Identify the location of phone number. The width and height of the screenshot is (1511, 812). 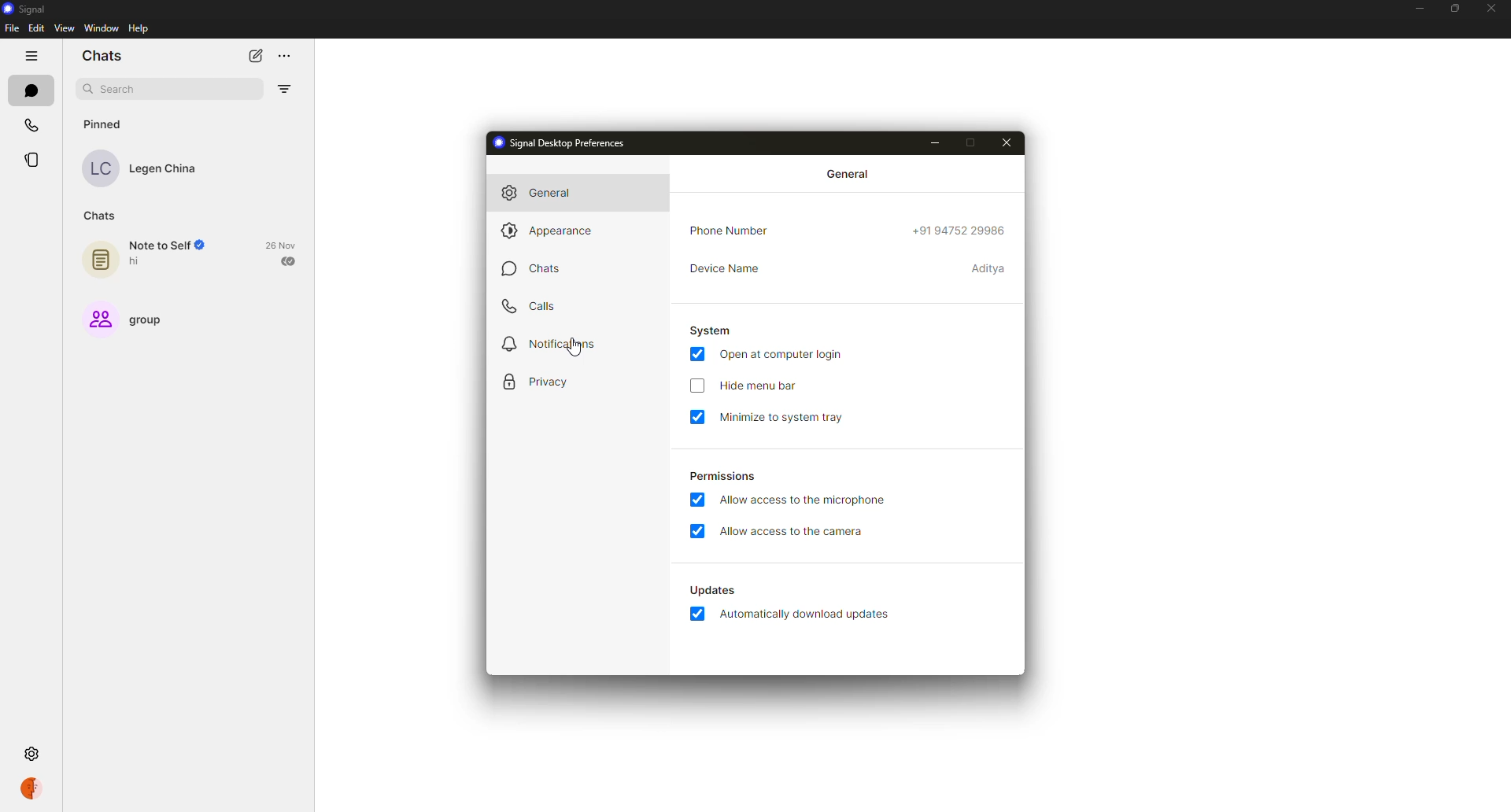
(957, 231).